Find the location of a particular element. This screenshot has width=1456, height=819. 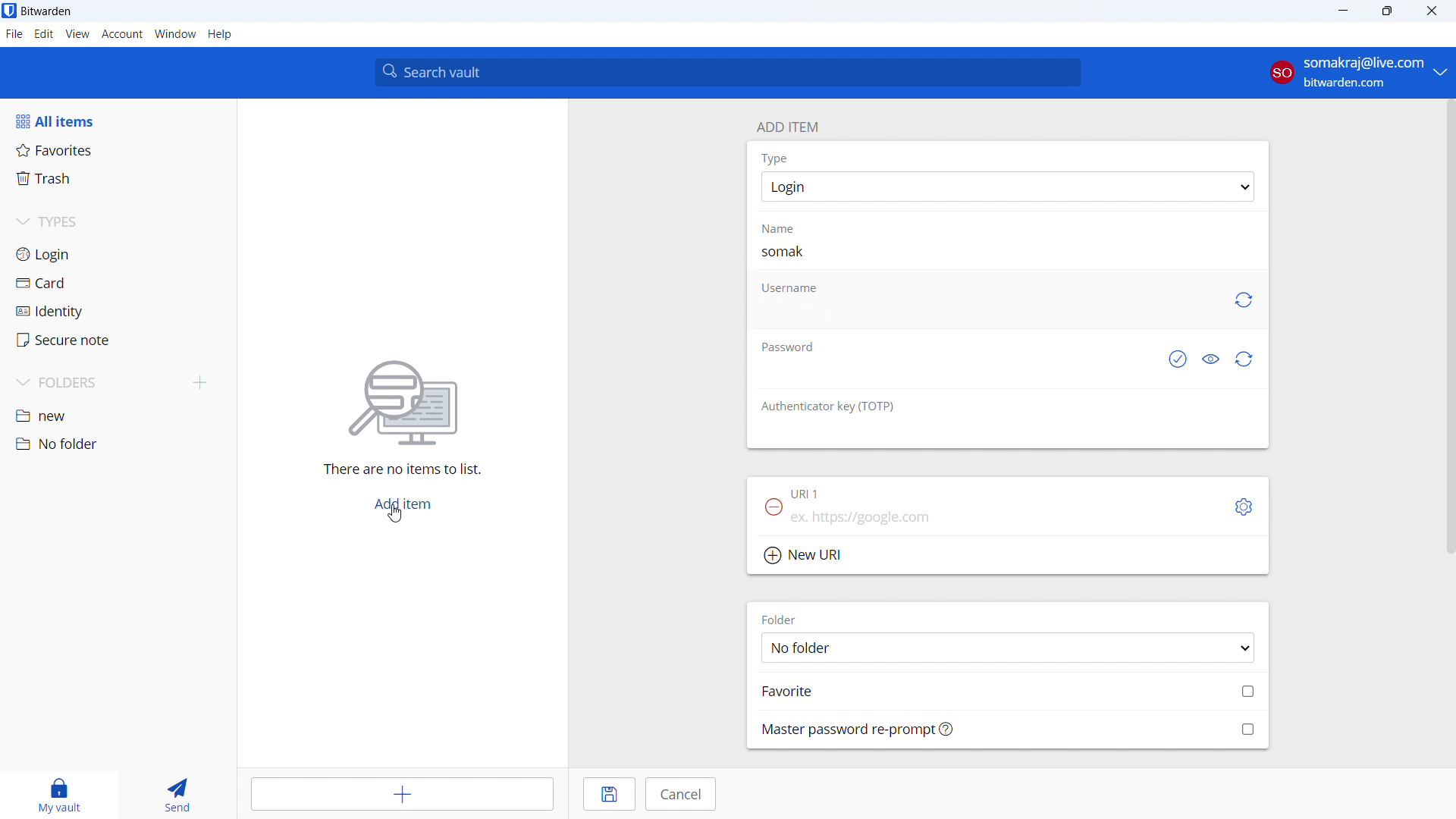

secure note is located at coordinates (118, 340).